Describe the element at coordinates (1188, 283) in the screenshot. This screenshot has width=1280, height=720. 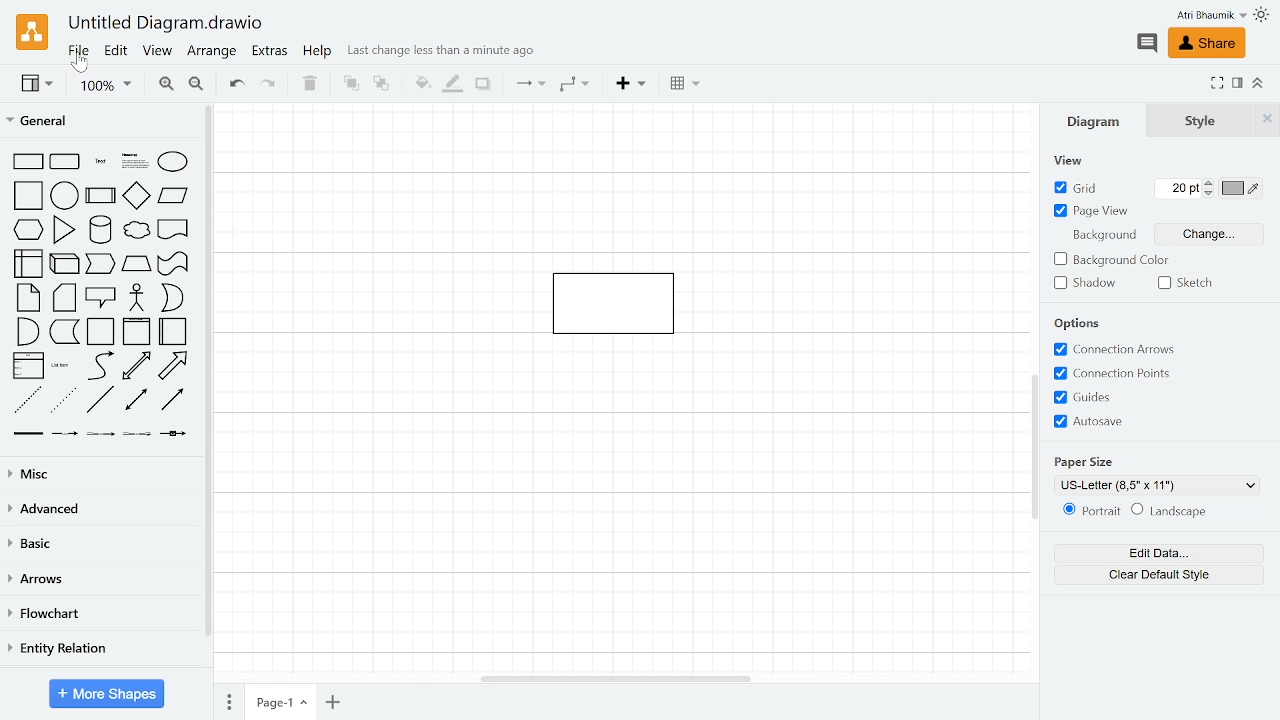
I see `Sketch` at that location.